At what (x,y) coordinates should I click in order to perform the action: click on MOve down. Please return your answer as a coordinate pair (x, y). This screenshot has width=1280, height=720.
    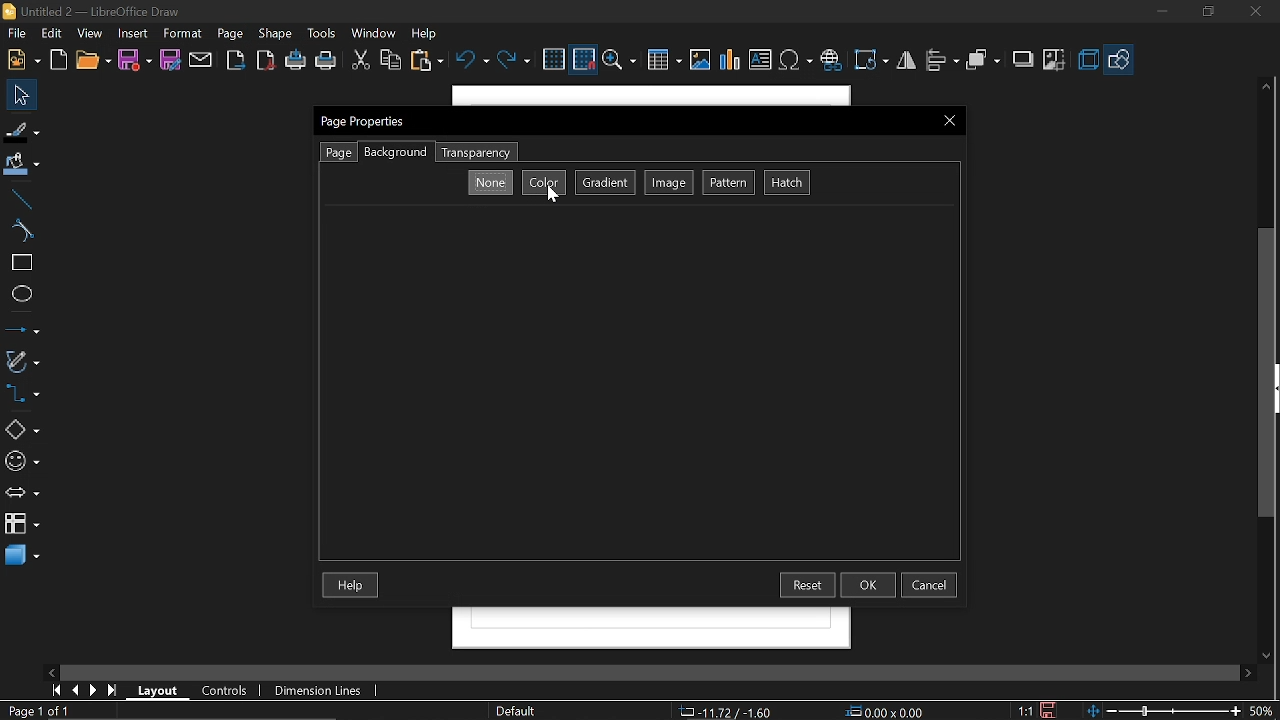
    Looking at the image, I should click on (1264, 654).